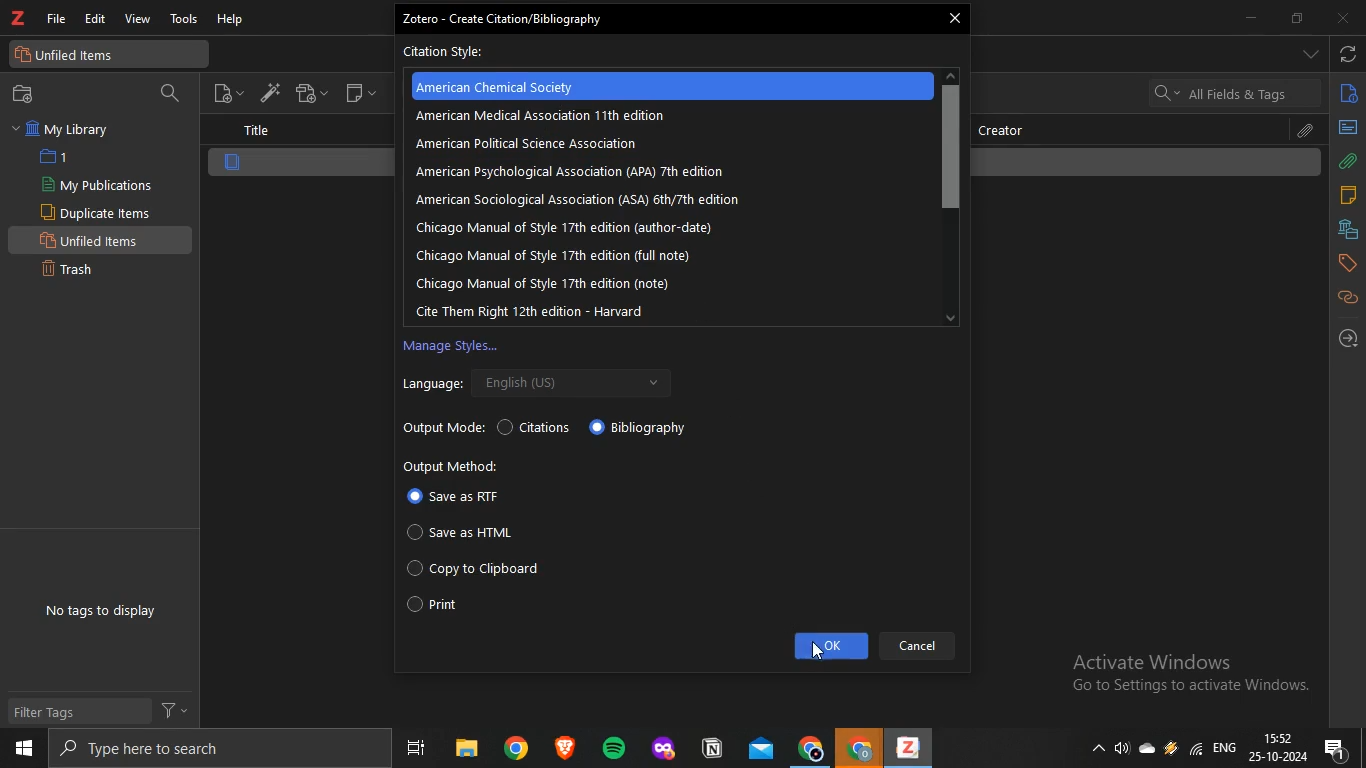 Image resolution: width=1366 pixels, height=768 pixels. Describe the element at coordinates (477, 571) in the screenshot. I see `Copy to Clipboard` at that location.